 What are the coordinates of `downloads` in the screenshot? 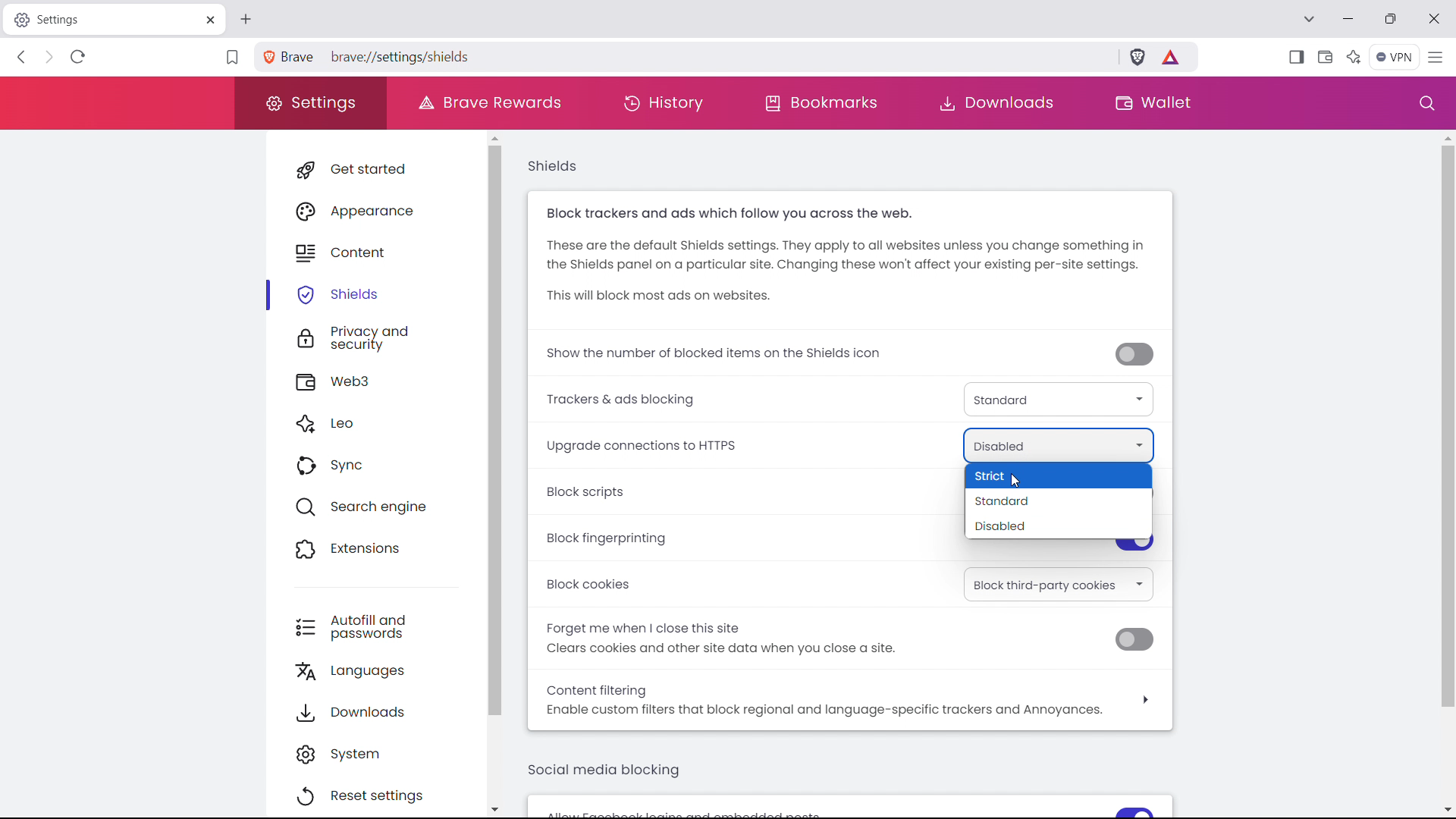 It's located at (382, 710).